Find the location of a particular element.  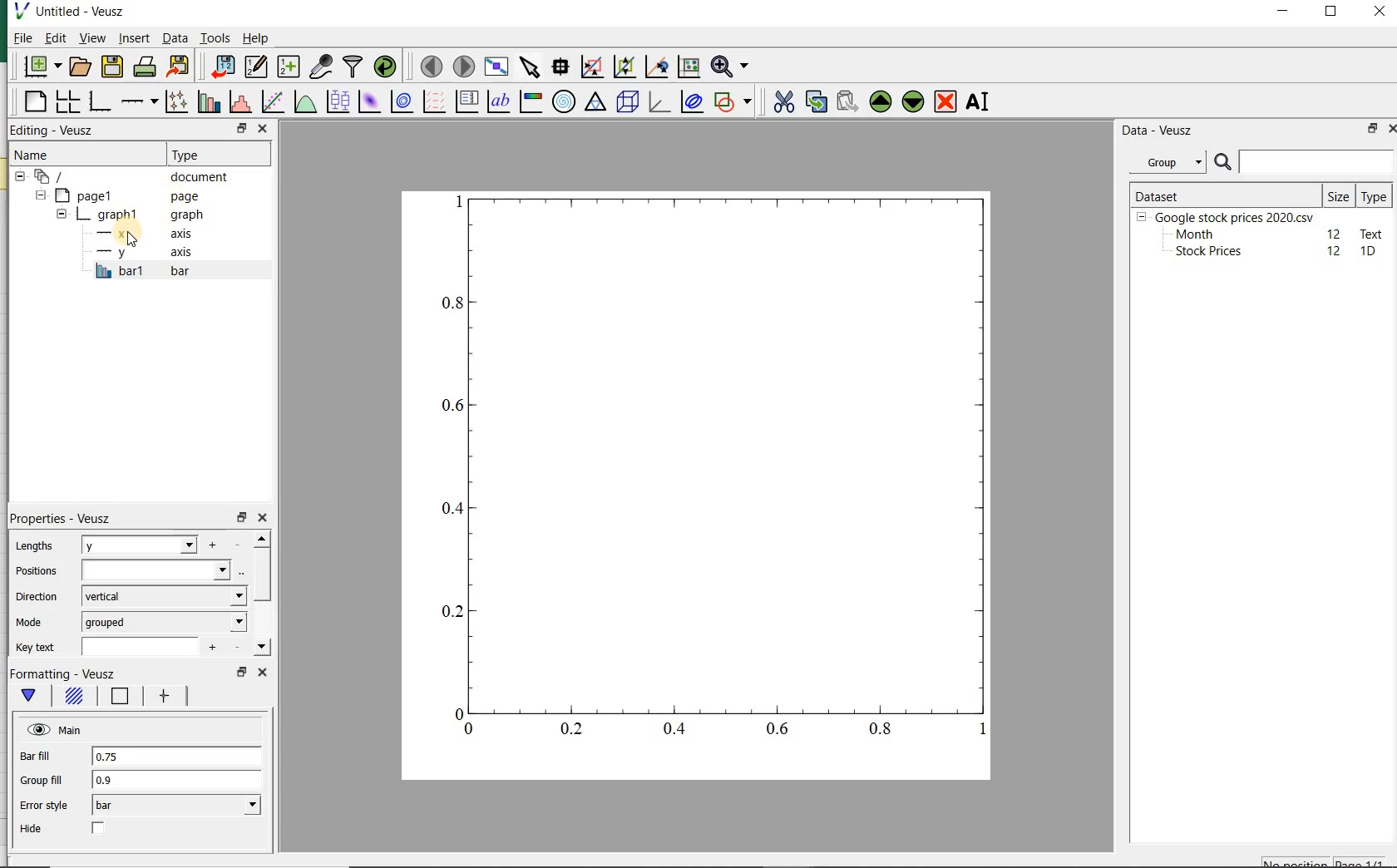

close is located at coordinates (261, 673).